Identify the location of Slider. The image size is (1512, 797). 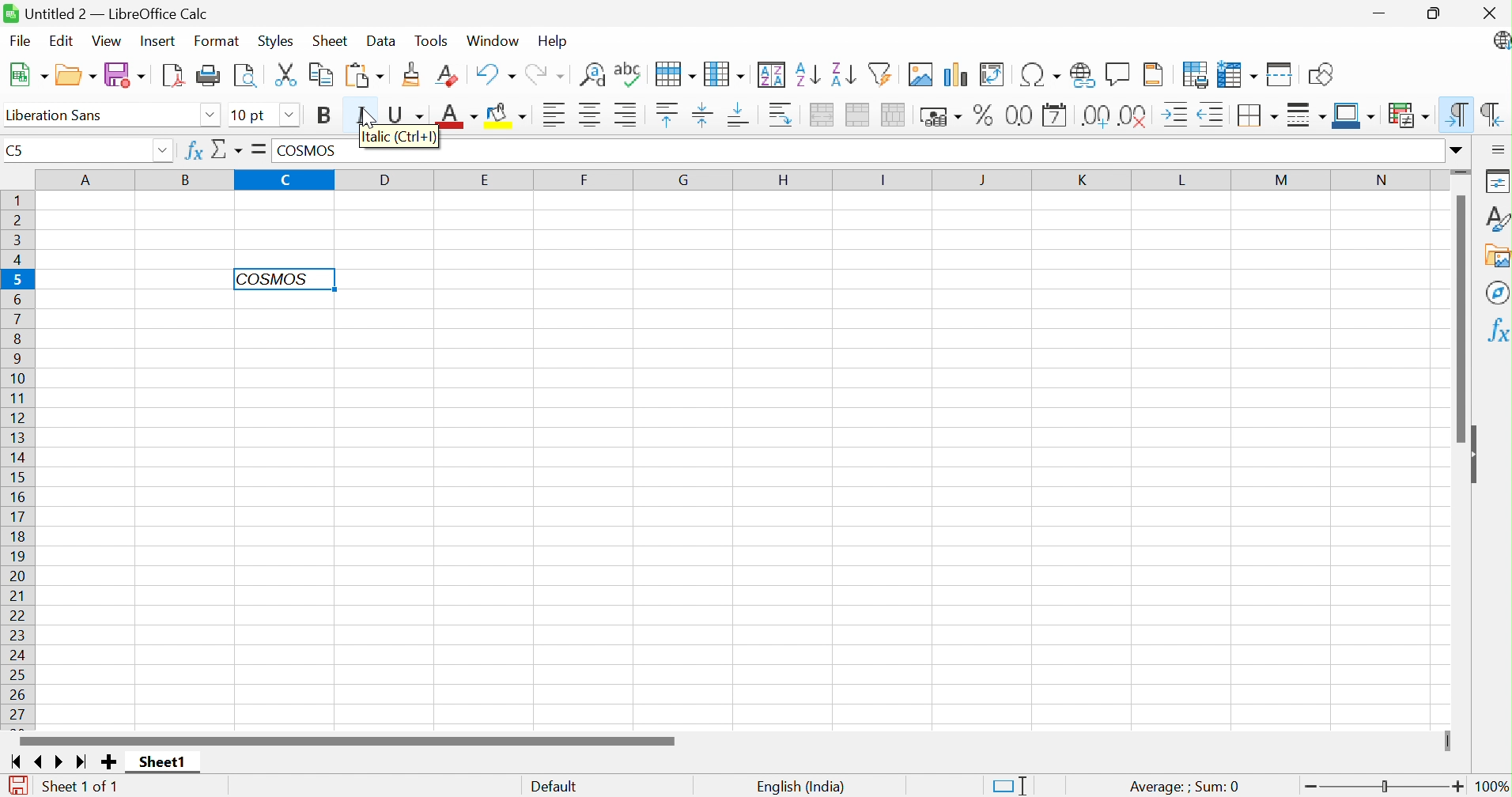
(1445, 741).